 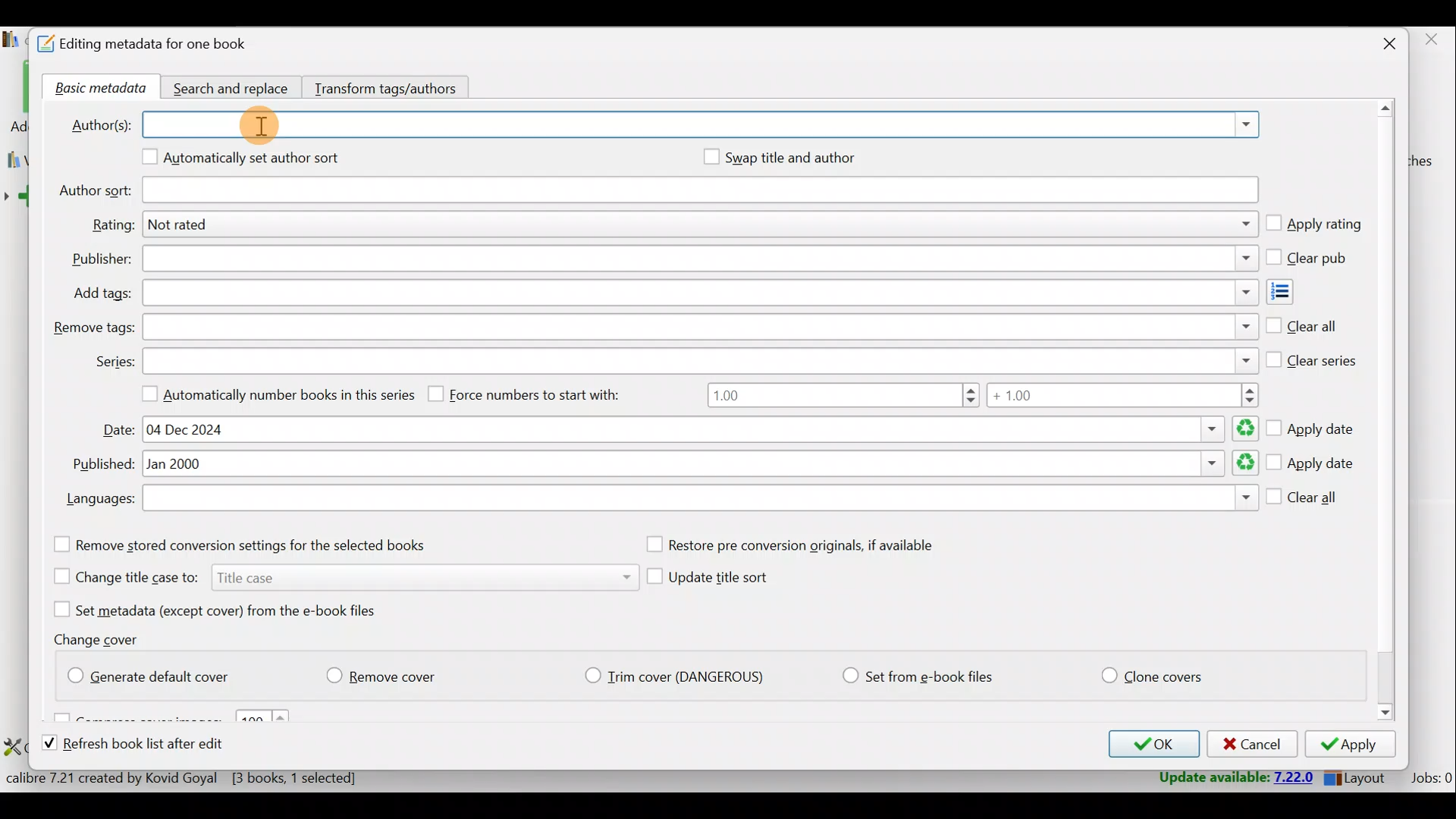 What do you see at coordinates (1358, 775) in the screenshot?
I see `Layout` at bounding box center [1358, 775].